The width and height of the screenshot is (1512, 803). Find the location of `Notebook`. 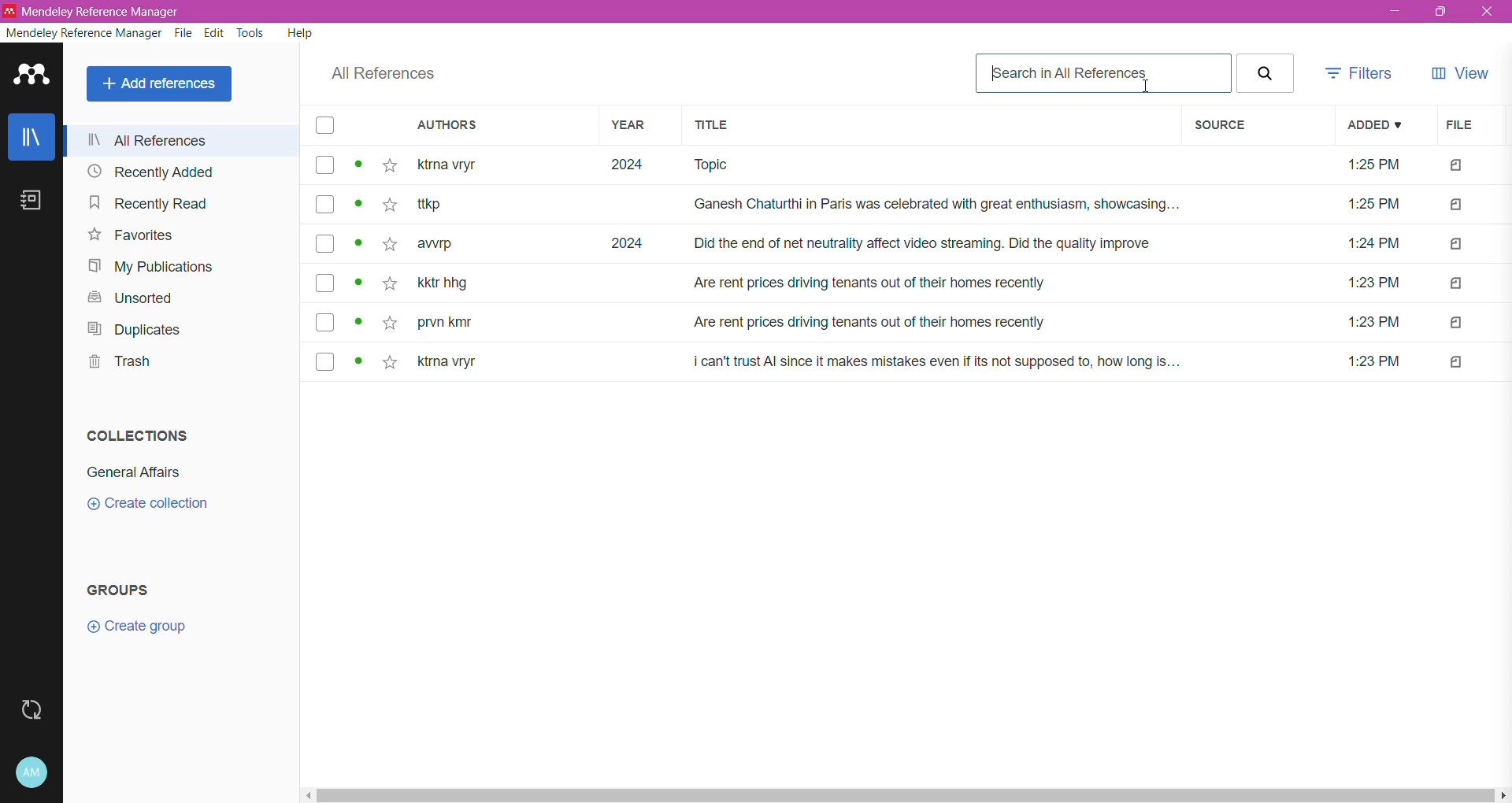

Notebook is located at coordinates (33, 205).